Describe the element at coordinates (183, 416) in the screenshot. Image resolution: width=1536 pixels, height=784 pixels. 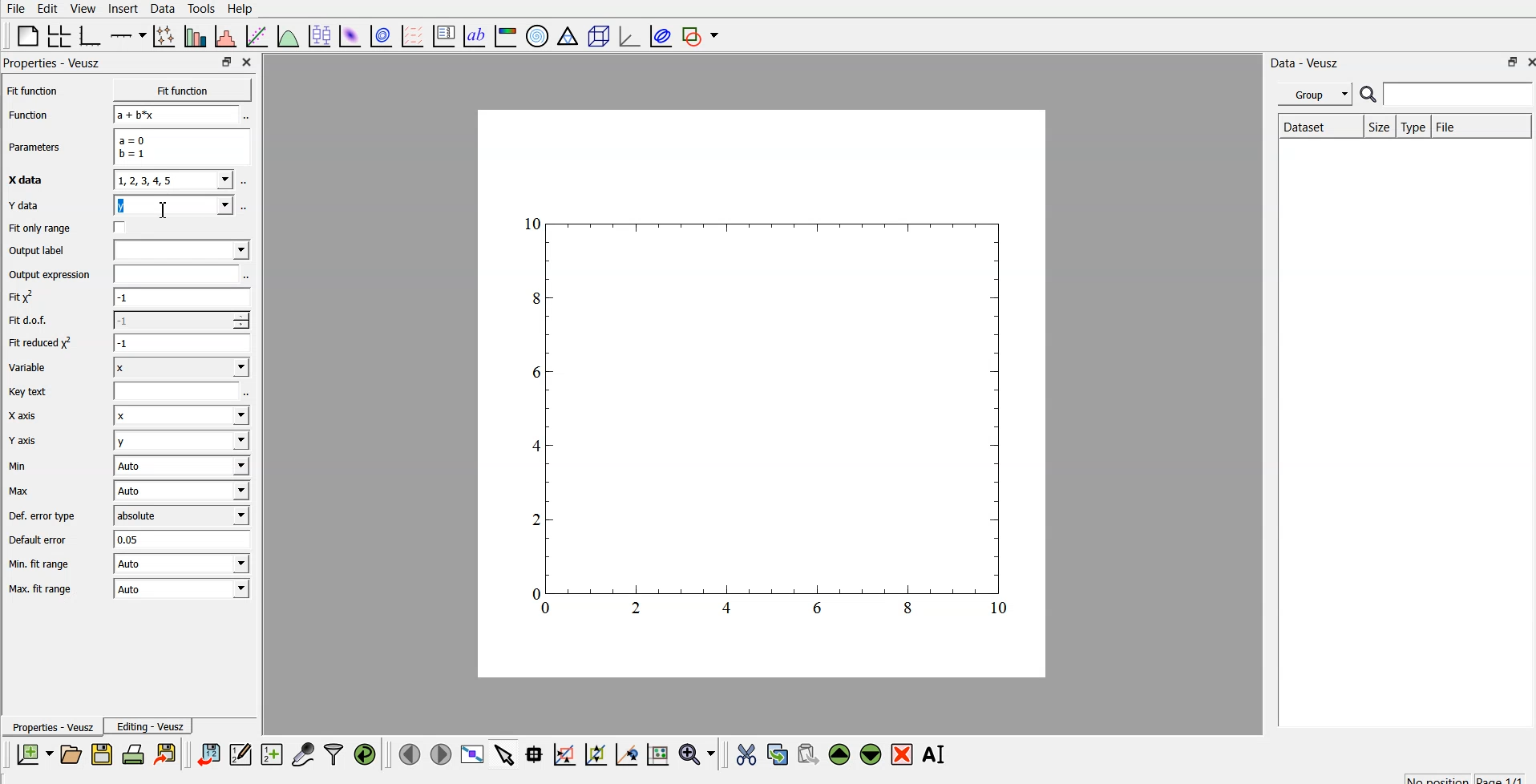
I see `` at that location.